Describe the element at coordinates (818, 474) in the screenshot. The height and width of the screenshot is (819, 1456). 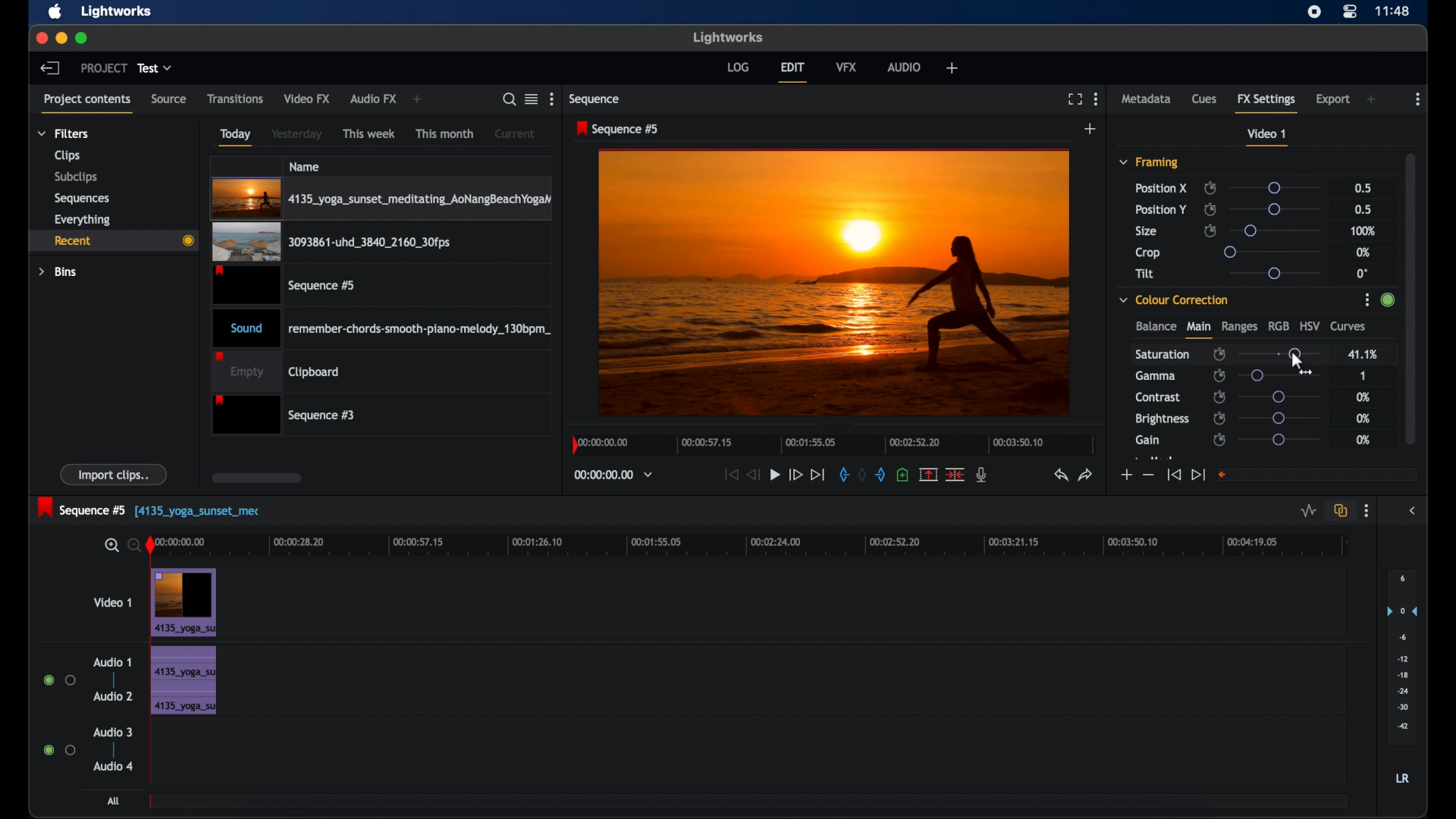
I see `jump to end` at that location.